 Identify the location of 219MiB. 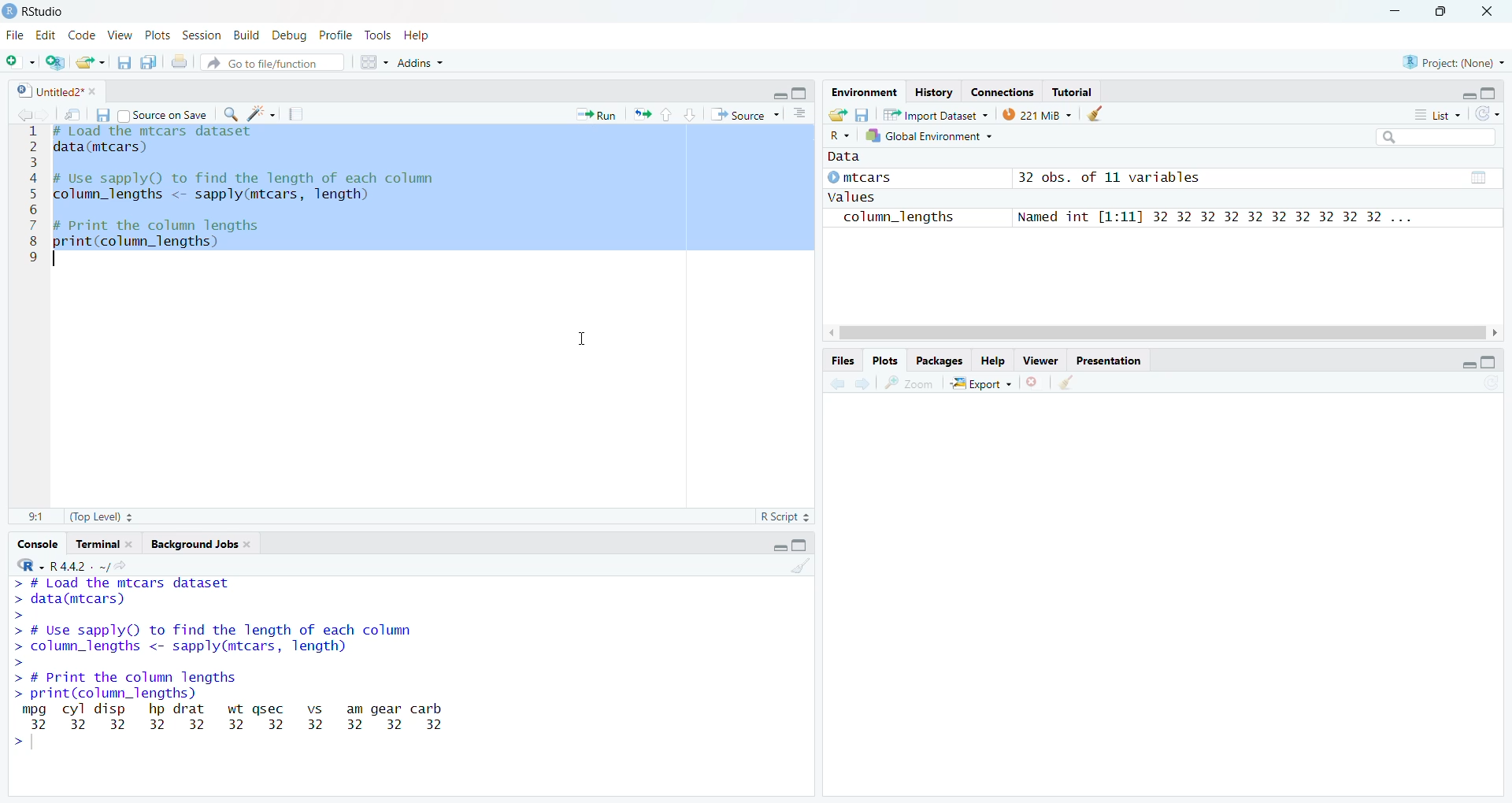
(1037, 113).